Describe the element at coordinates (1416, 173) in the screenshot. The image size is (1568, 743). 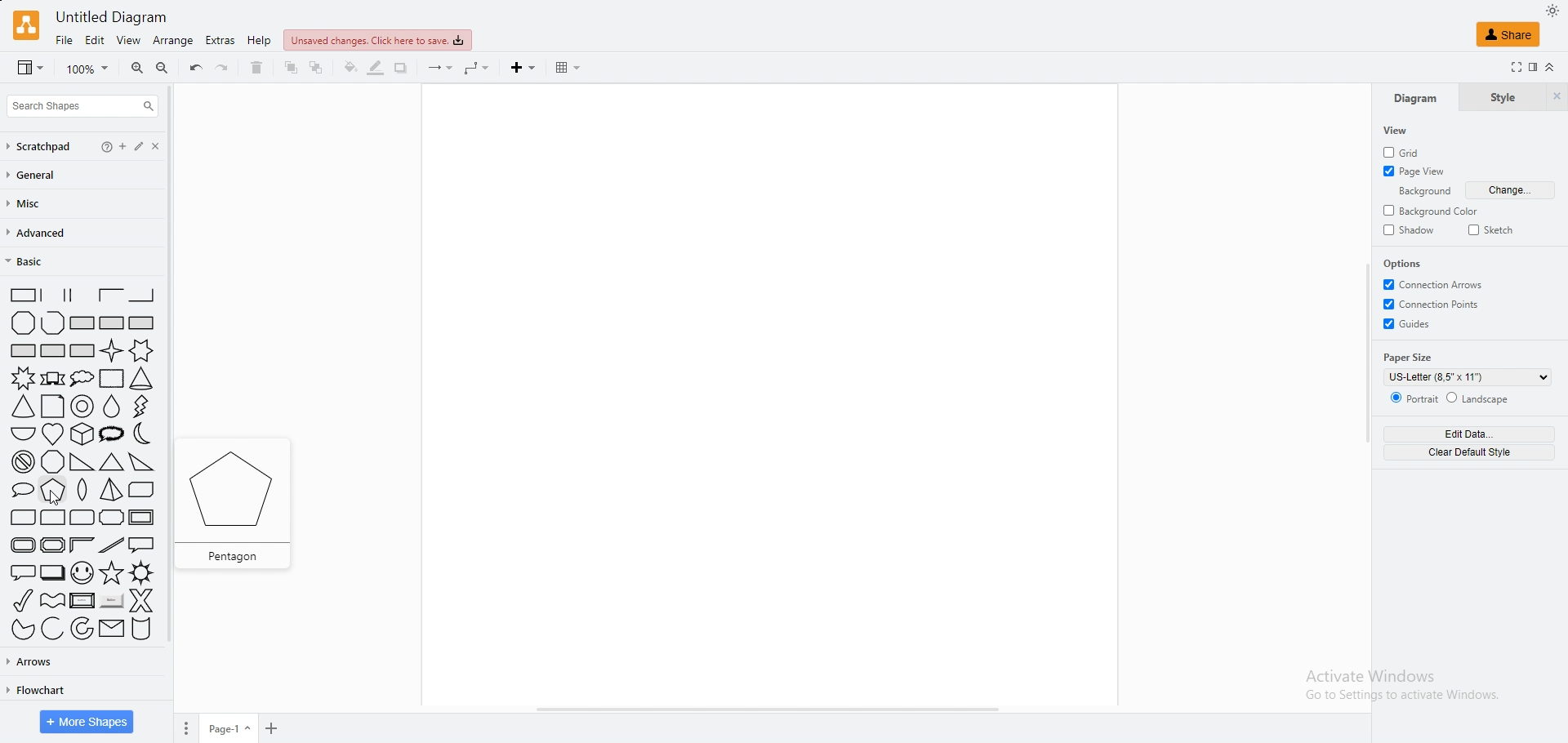
I see `page view` at that location.